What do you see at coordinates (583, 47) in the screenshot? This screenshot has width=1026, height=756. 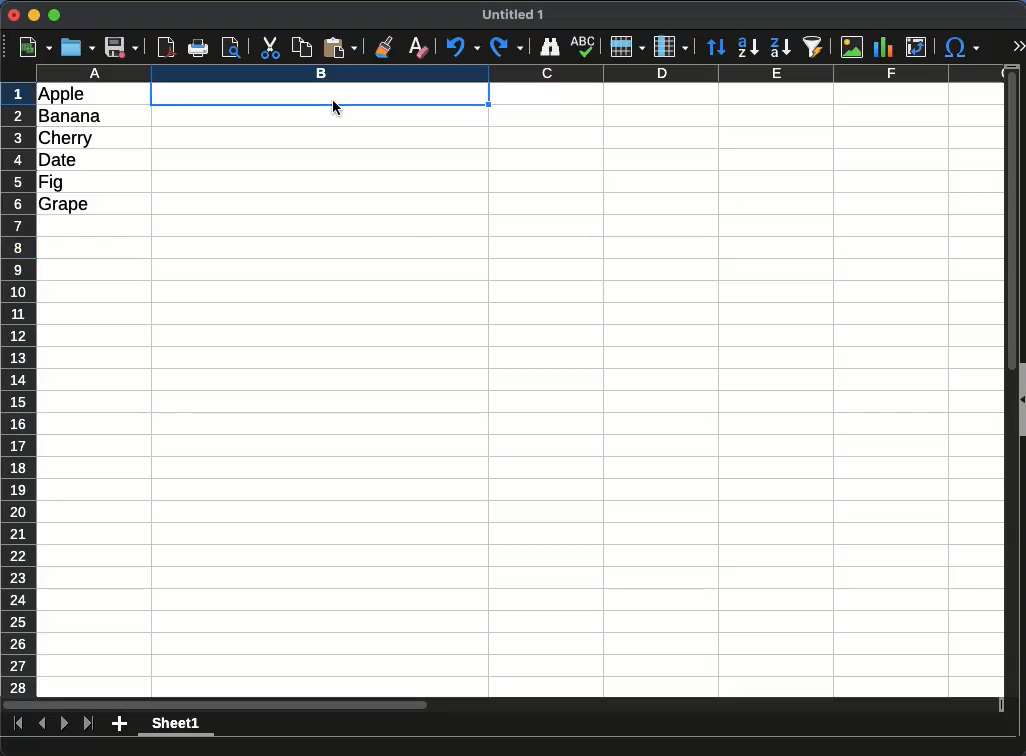 I see `spell check` at bounding box center [583, 47].